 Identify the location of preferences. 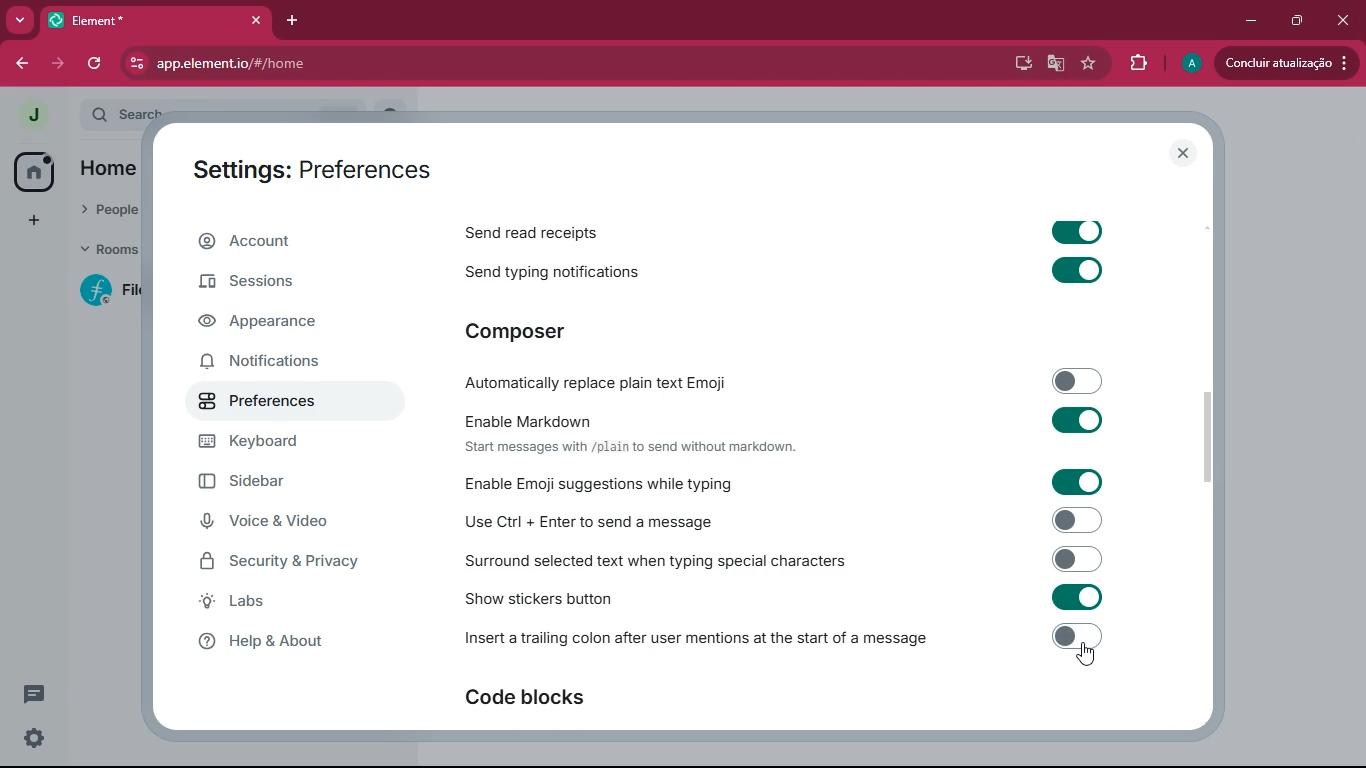
(276, 403).